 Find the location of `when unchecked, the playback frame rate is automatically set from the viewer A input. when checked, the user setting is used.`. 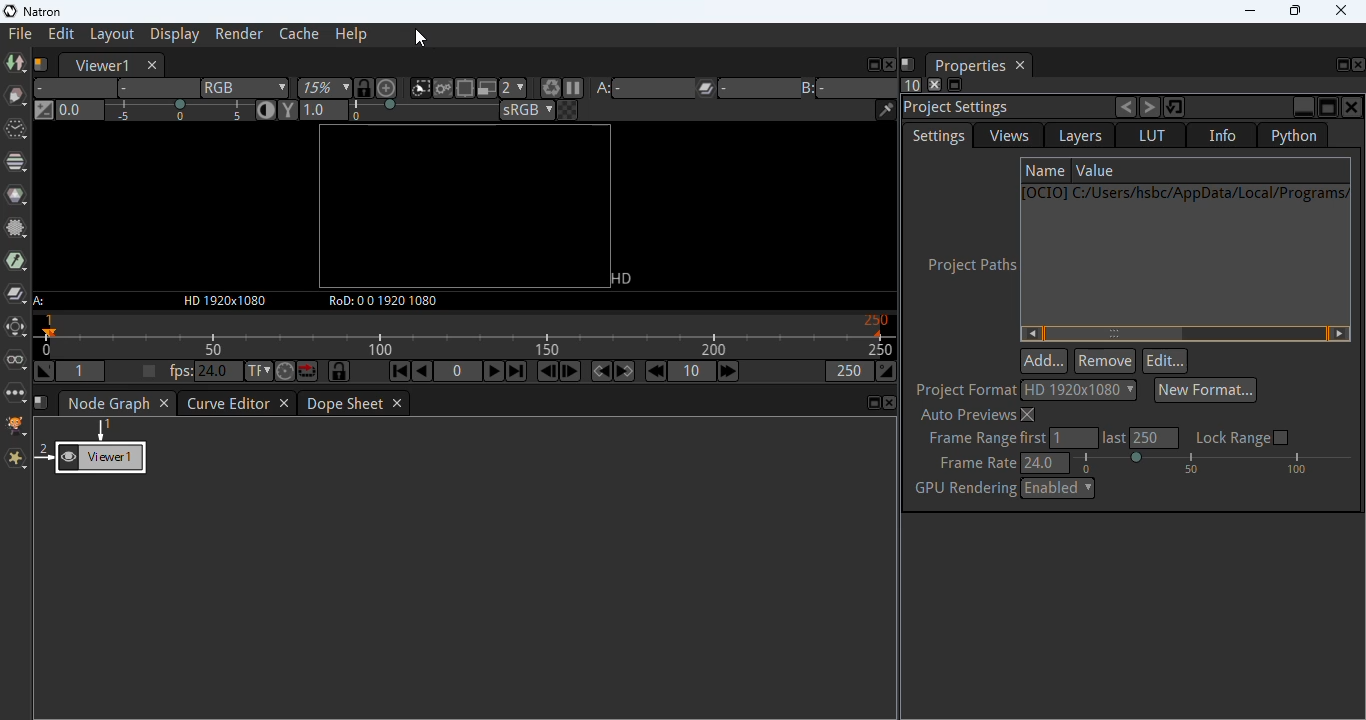

when unchecked, the playback frame rate is automatically set from the viewer A input. when checked, the user setting is used. is located at coordinates (149, 371).